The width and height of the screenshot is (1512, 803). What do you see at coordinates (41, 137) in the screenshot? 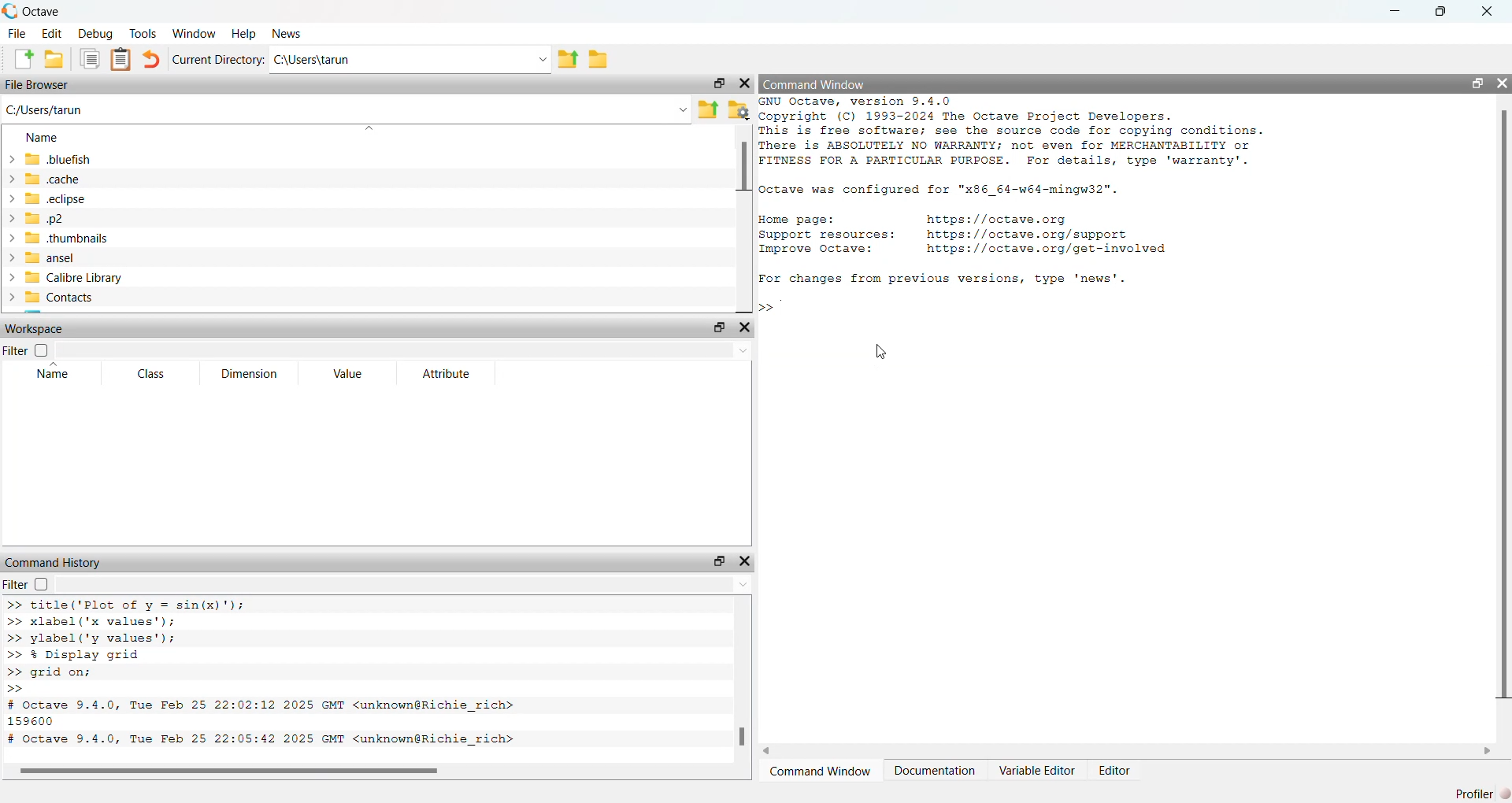
I see `Name` at bounding box center [41, 137].